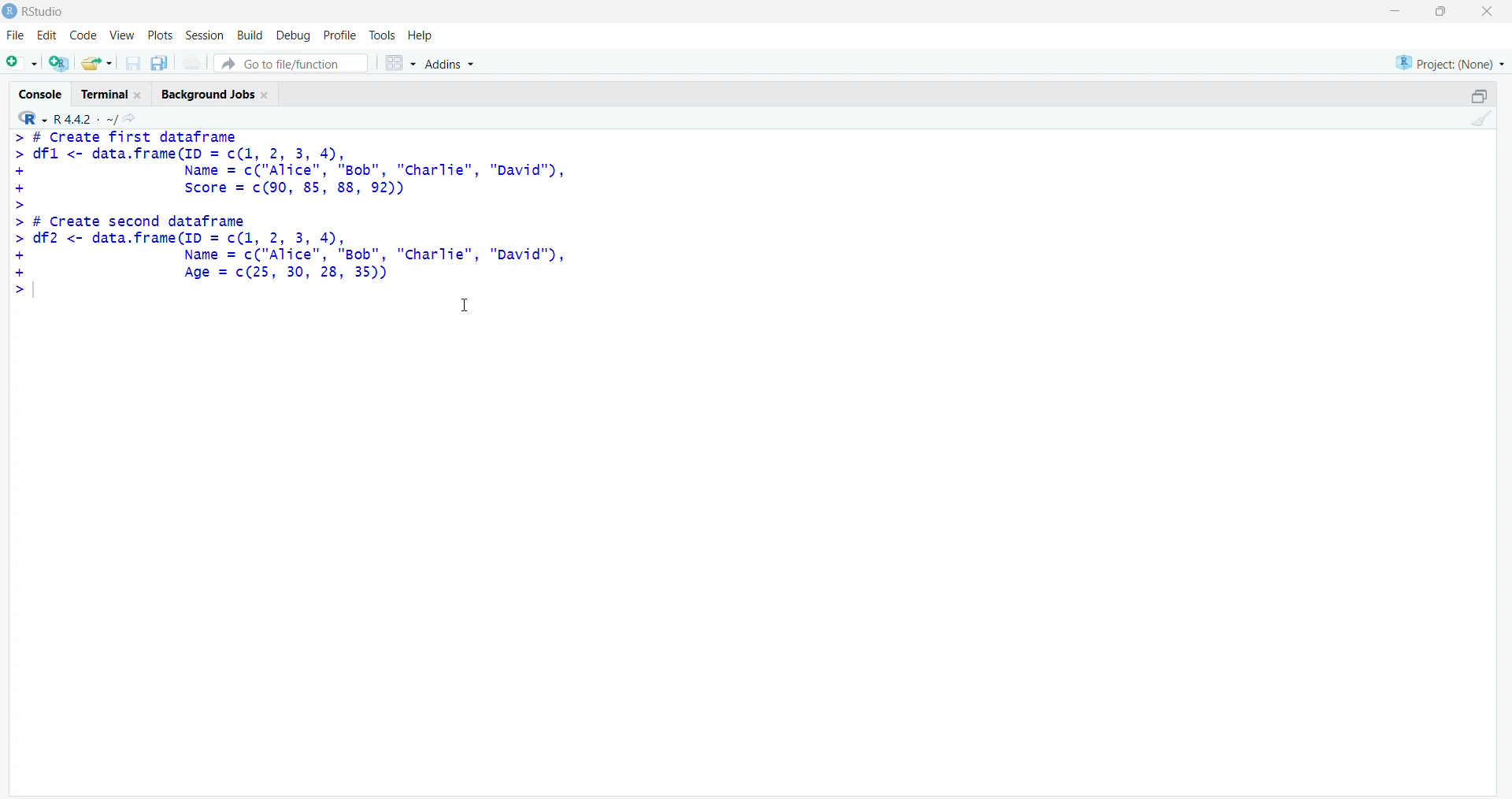 This screenshot has width=1512, height=799. What do you see at coordinates (1480, 95) in the screenshot?
I see `open in separate window` at bounding box center [1480, 95].